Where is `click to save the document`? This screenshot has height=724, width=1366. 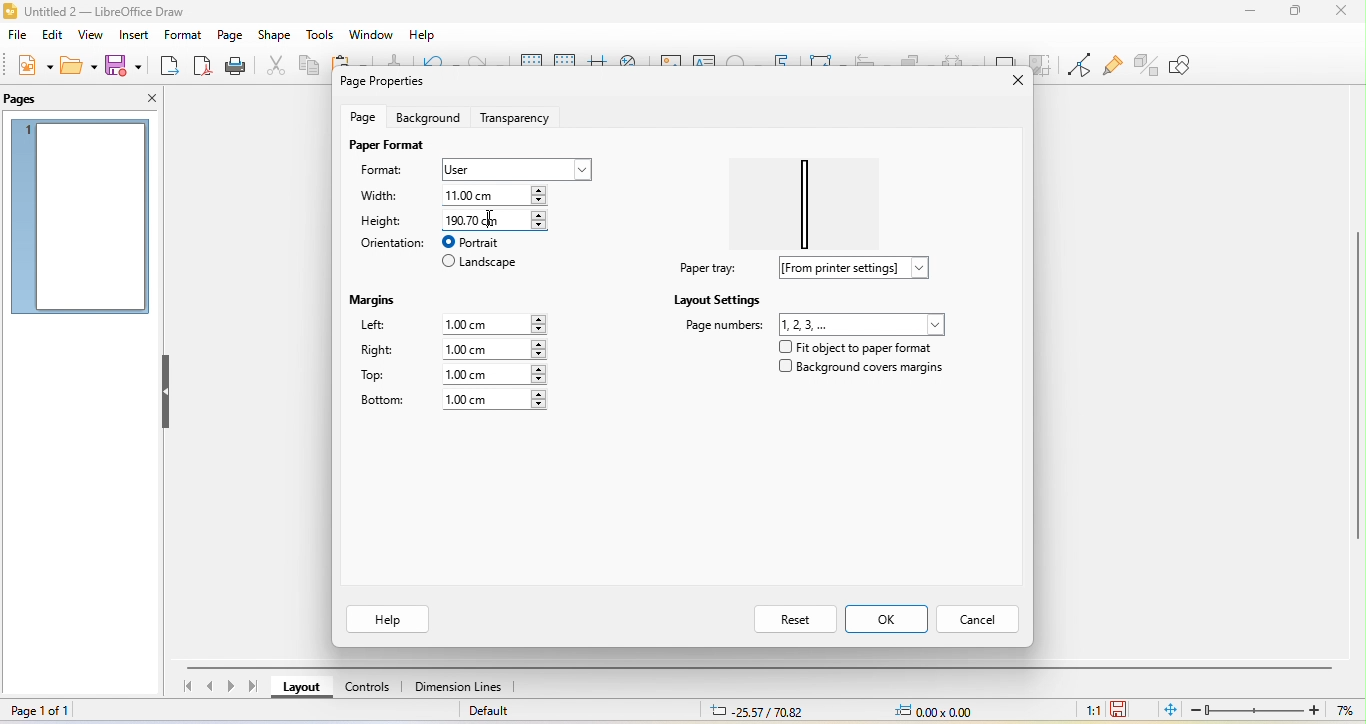 click to save the document is located at coordinates (1120, 708).